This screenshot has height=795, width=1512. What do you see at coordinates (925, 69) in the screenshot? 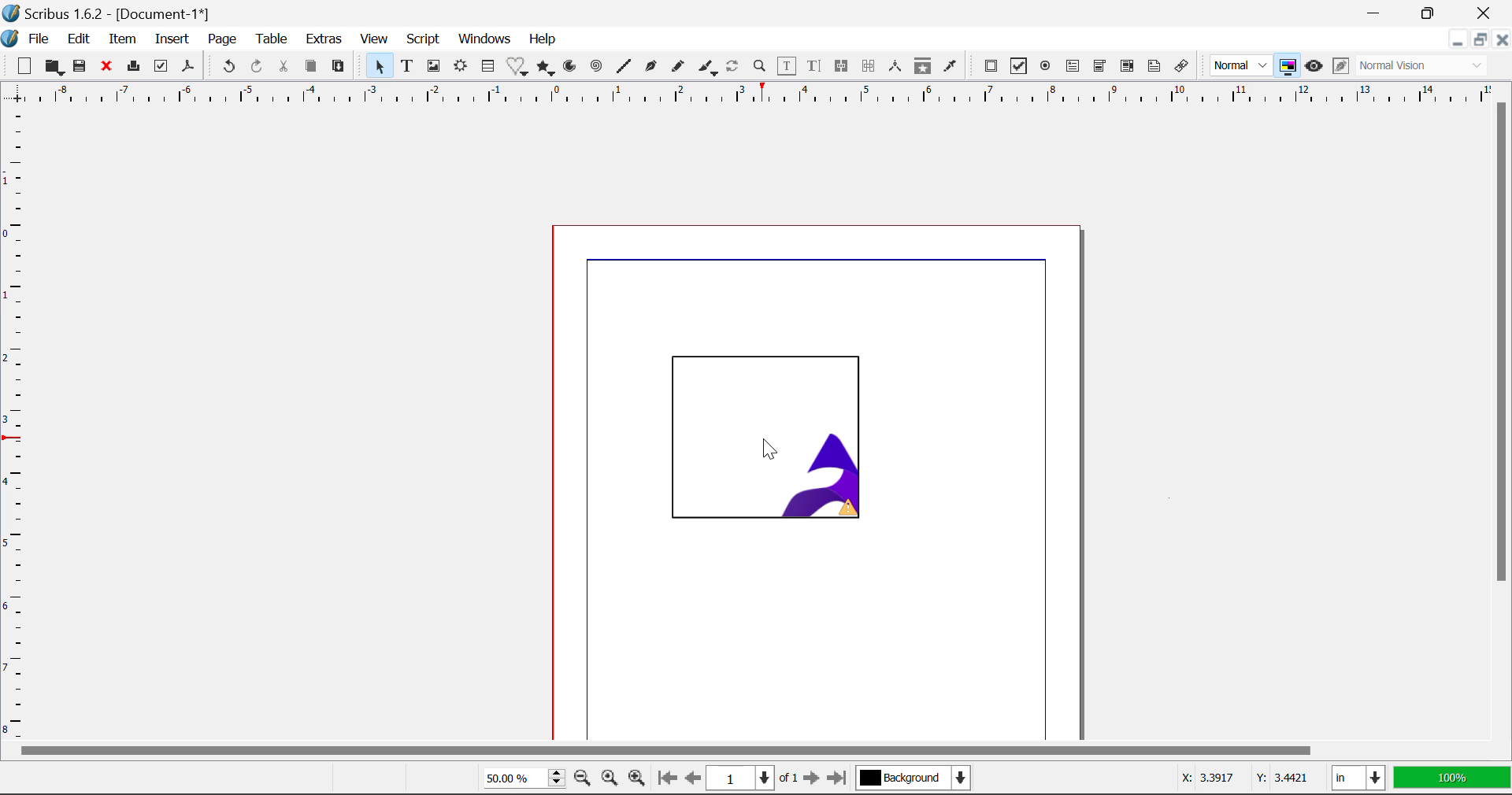
I see `Copy Item Properties` at bounding box center [925, 69].